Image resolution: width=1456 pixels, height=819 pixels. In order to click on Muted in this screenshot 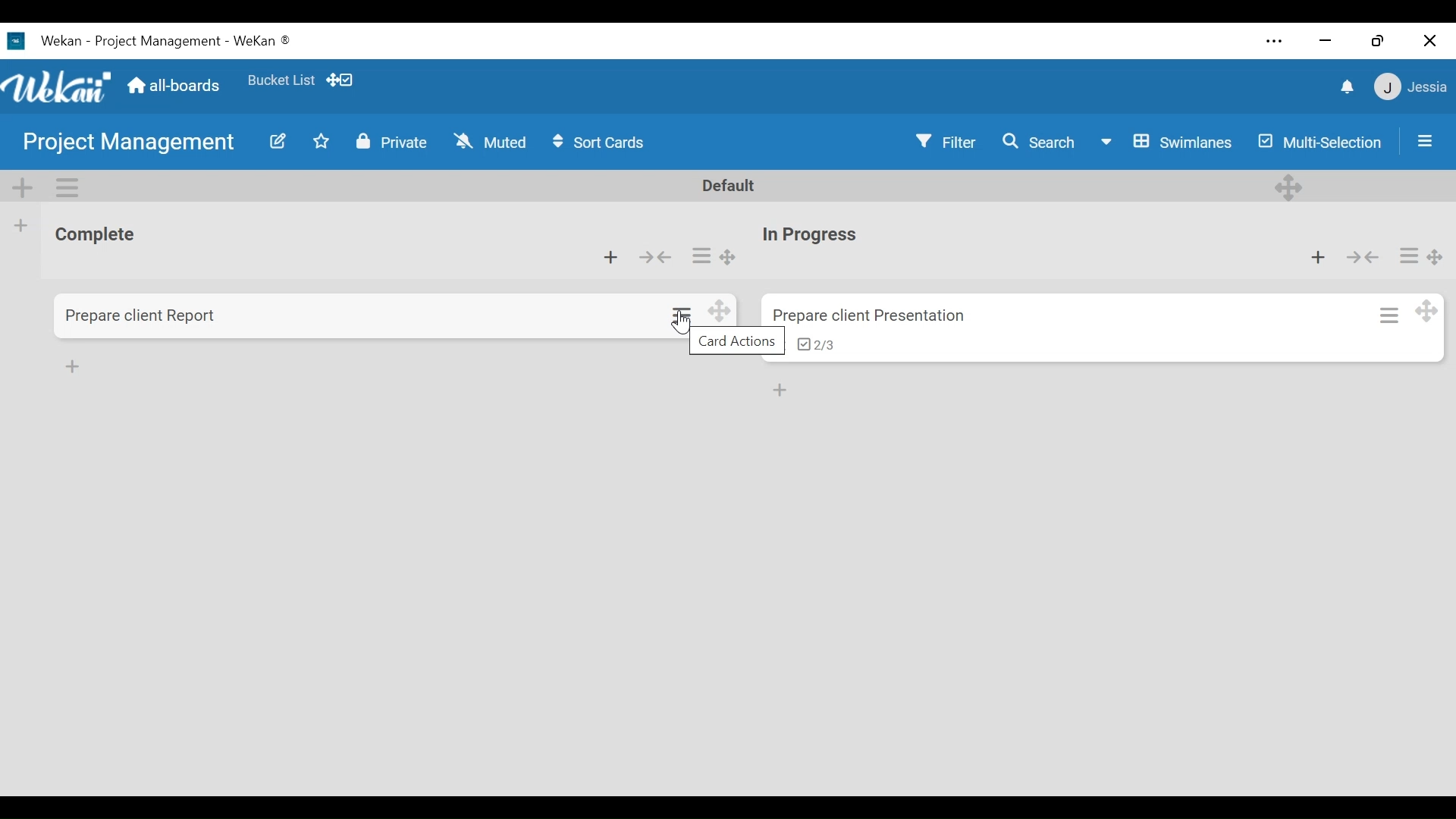, I will do `click(490, 142)`.